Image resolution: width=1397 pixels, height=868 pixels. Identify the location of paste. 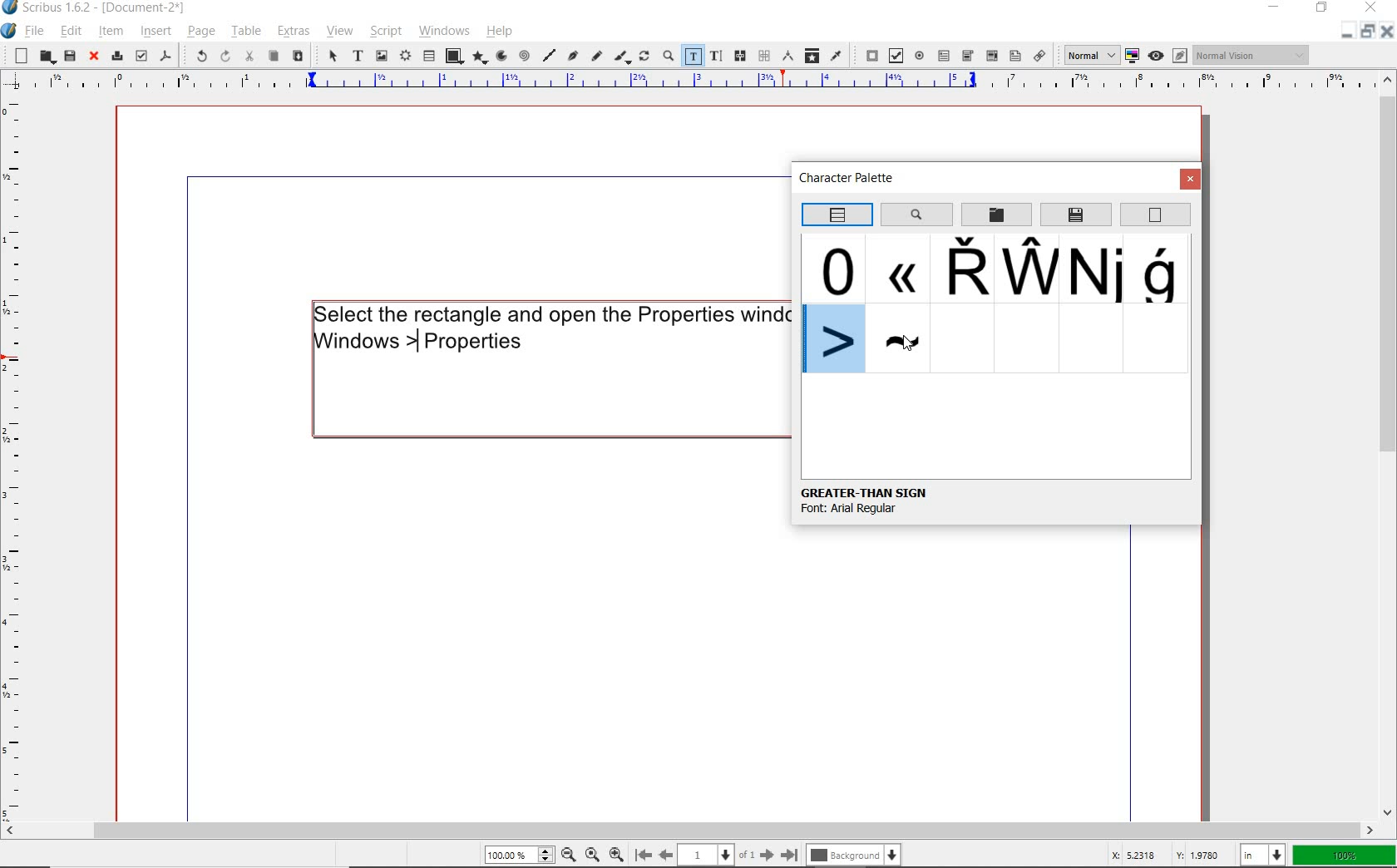
(299, 57).